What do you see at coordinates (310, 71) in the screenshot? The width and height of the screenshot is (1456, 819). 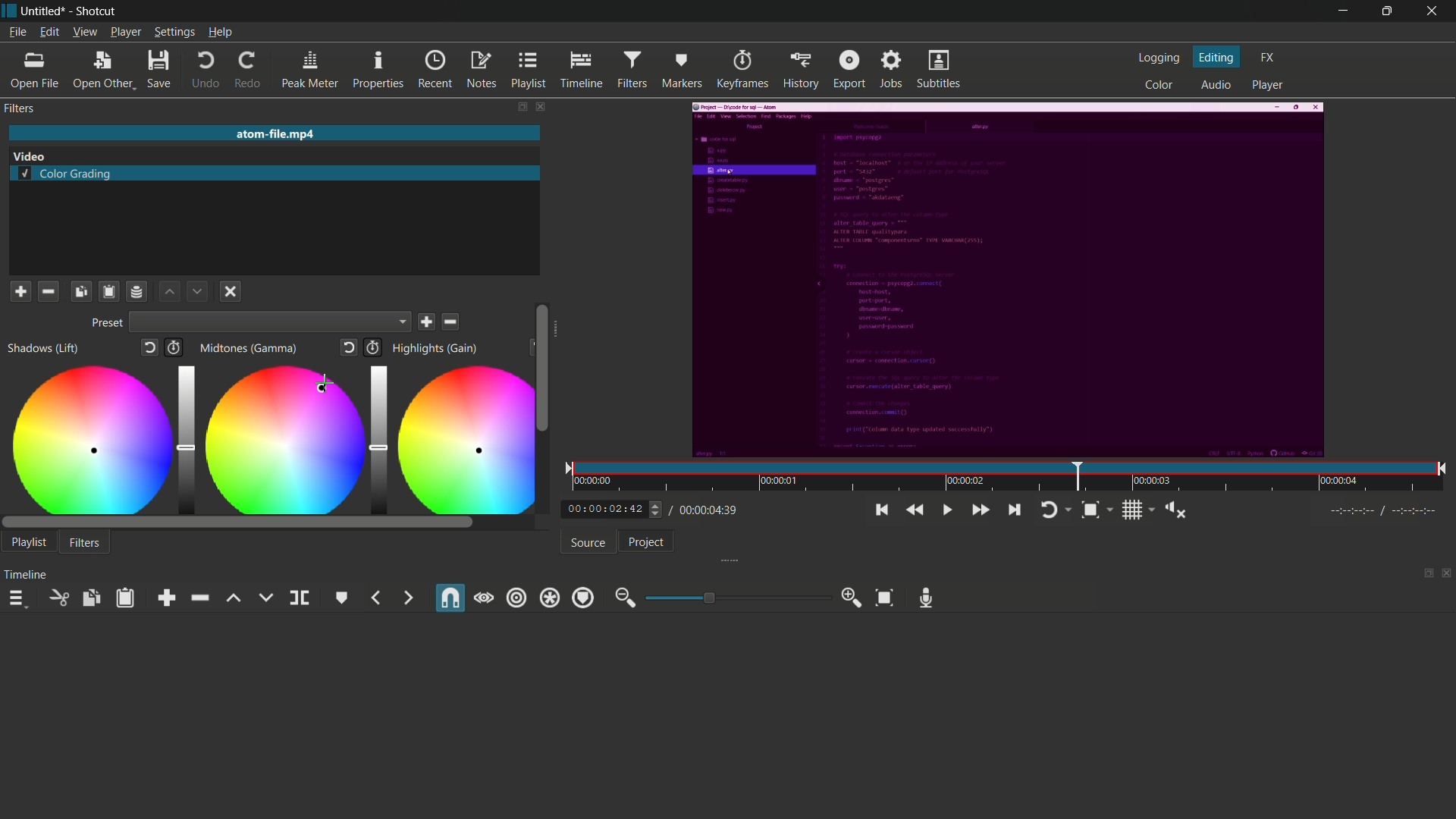 I see `peak meter` at bounding box center [310, 71].